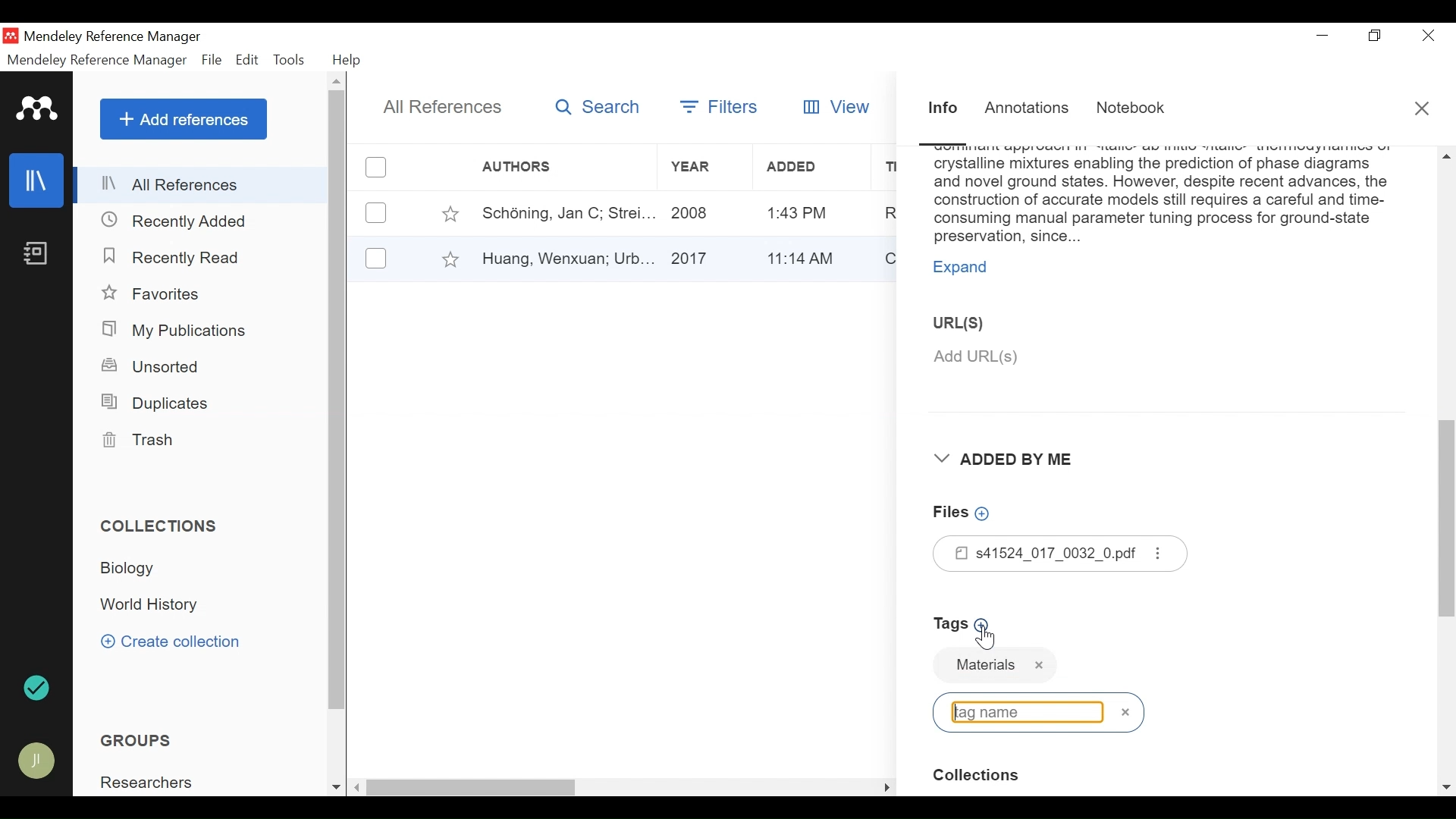 This screenshot has width=1456, height=819. I want to click on Vertical Scroll bar, so click(1447, 529).